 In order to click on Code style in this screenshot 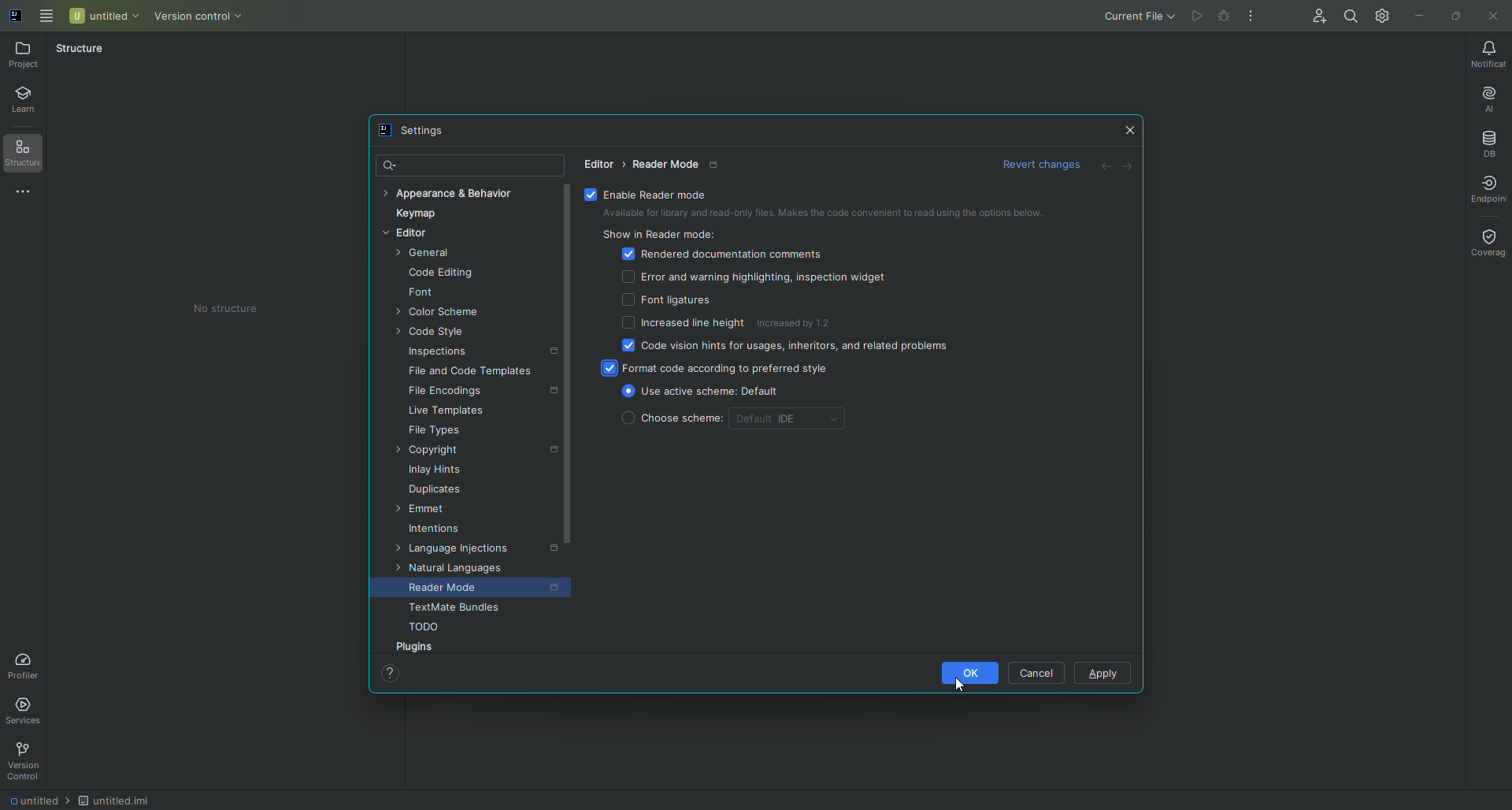, I will do `click(424, 333)`.